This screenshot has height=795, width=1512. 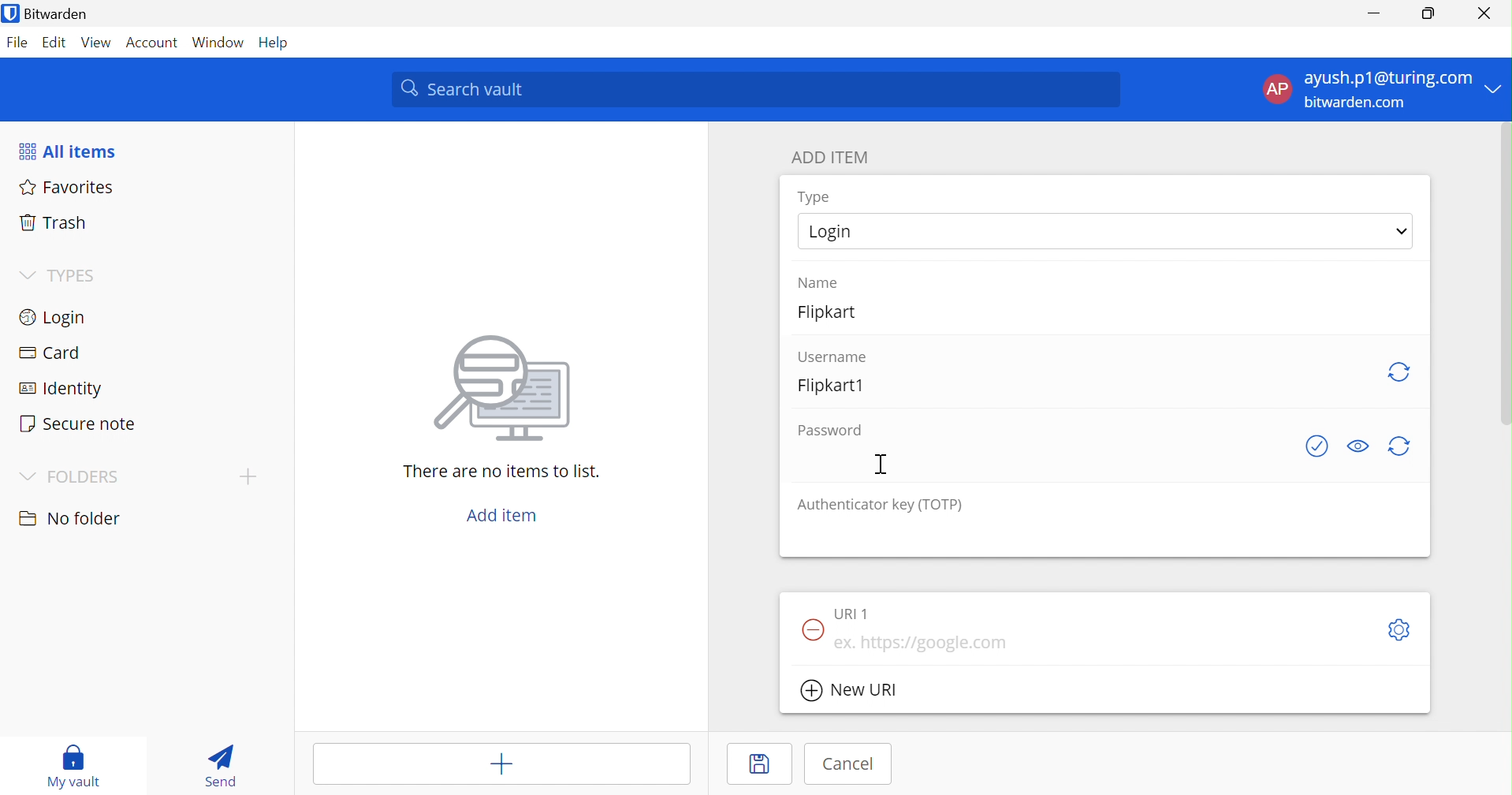 What do you see at coordinates (1428, 13) in the screenshot?
I see `Restore Down` at bounding box center [1428, 13].